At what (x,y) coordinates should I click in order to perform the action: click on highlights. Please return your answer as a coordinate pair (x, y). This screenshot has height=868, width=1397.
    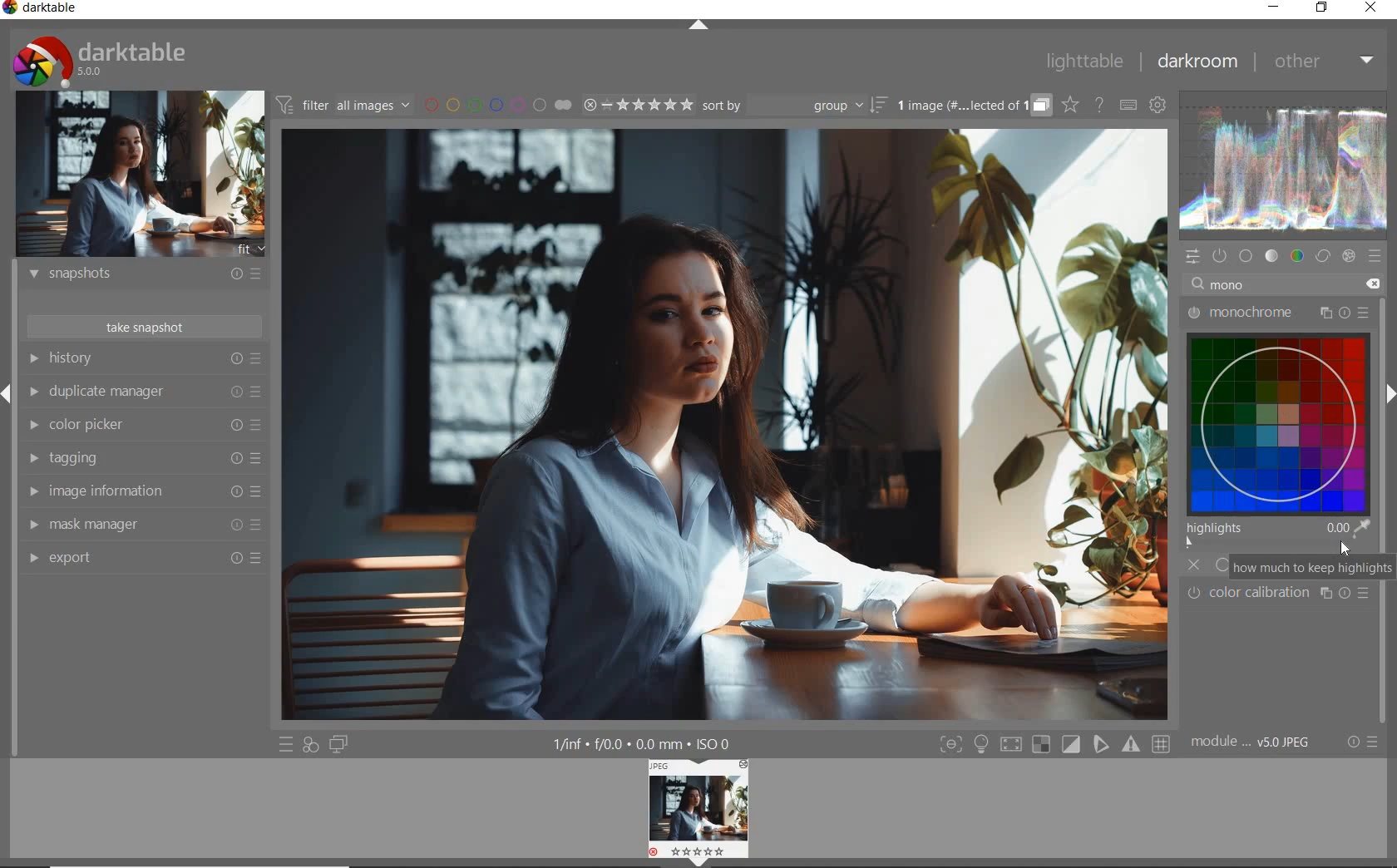
    Looking at the image, I should click on (1259, 535).